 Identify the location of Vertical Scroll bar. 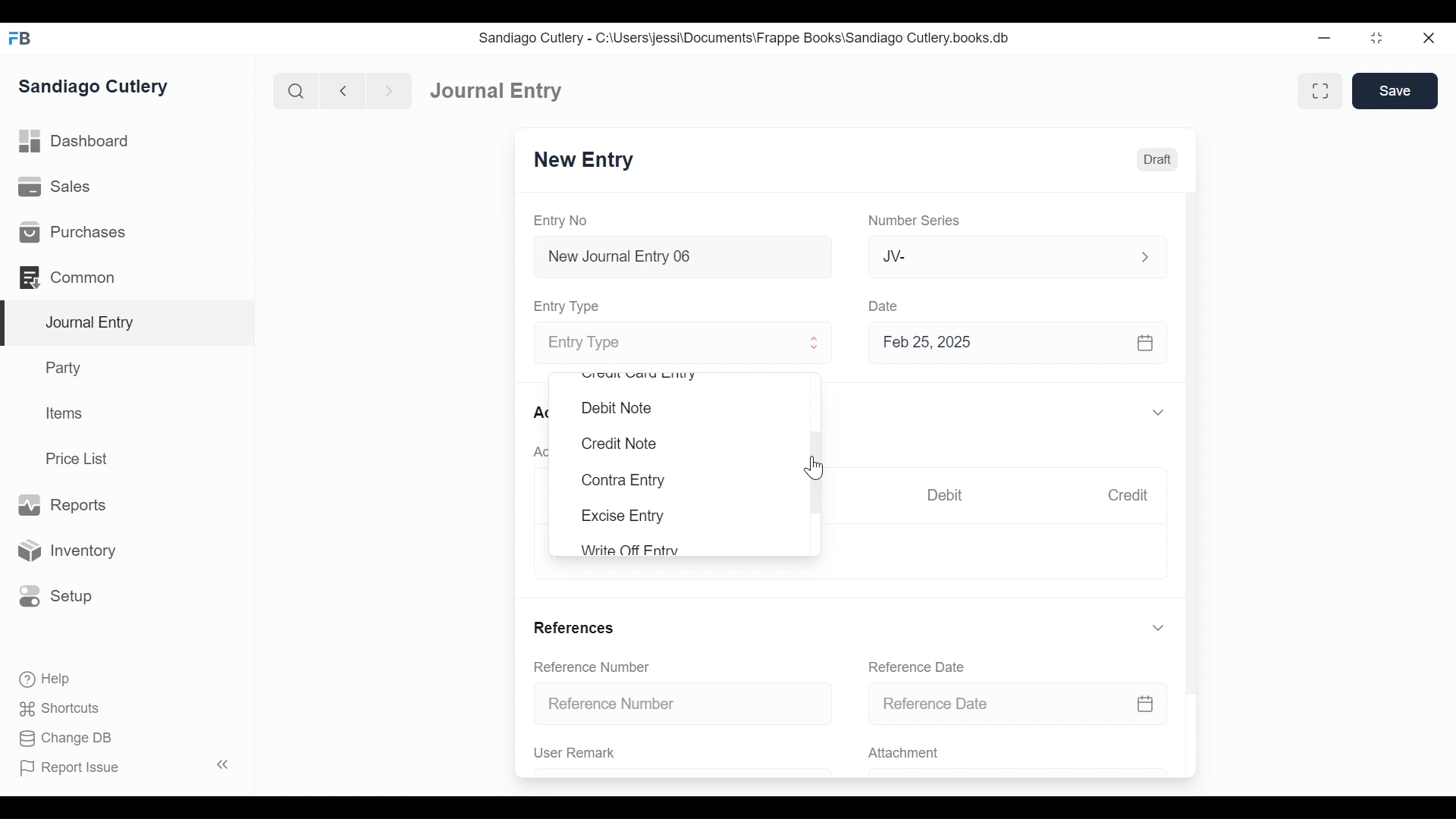
(1193, 431).